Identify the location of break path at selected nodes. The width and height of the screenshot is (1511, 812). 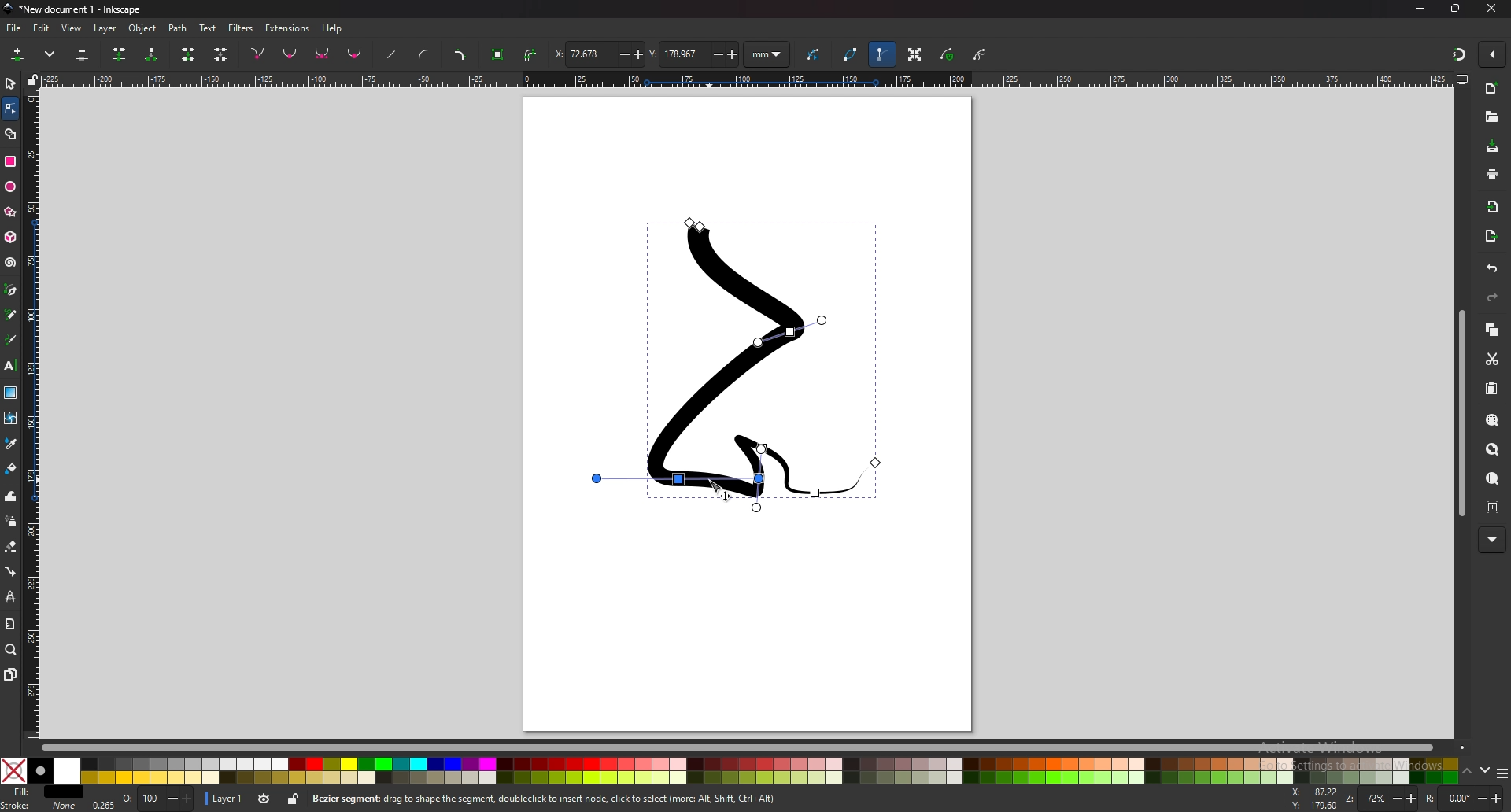
(152, 54).